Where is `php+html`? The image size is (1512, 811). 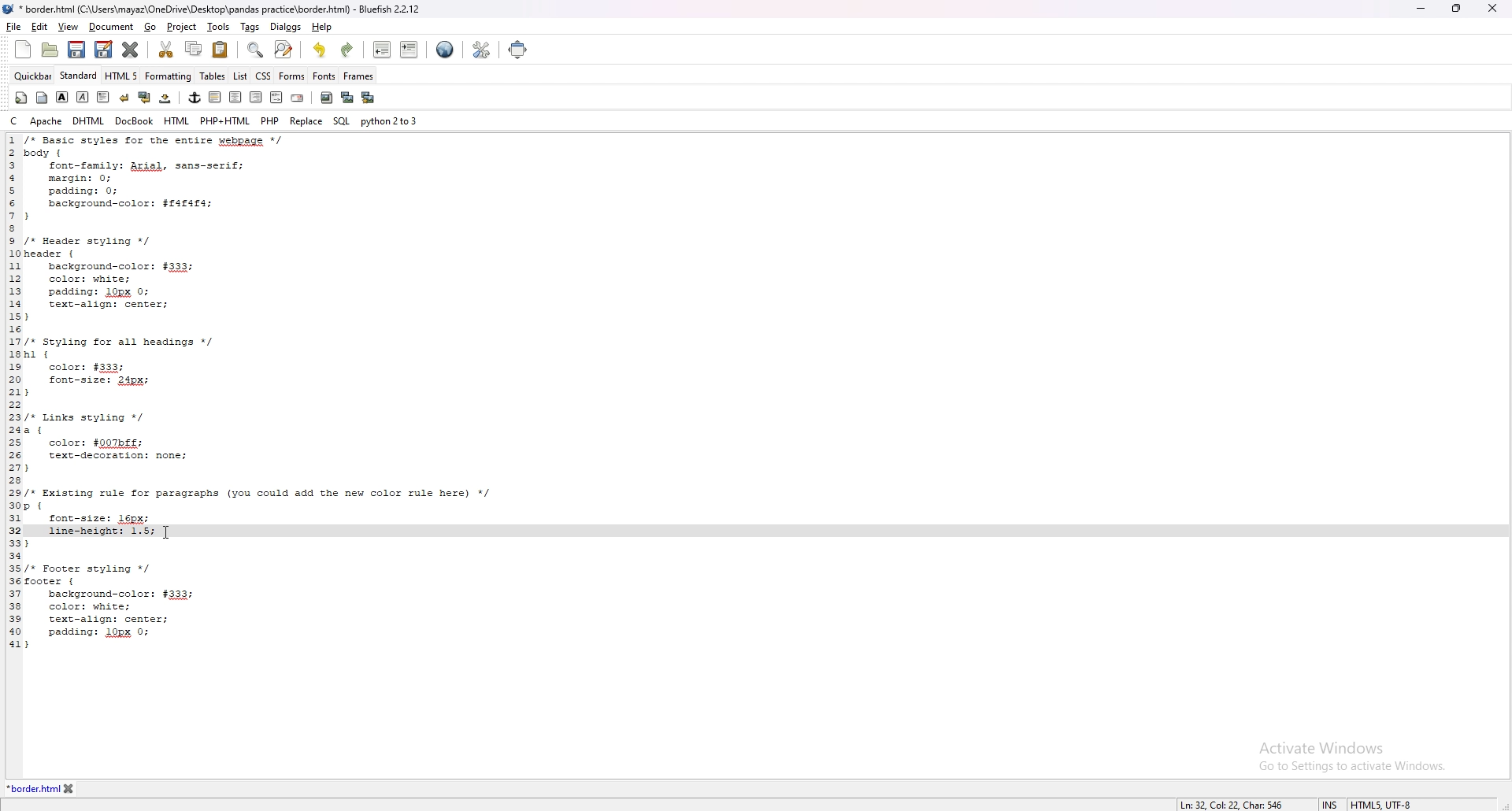 php+html is located at coordinates (224, 120).